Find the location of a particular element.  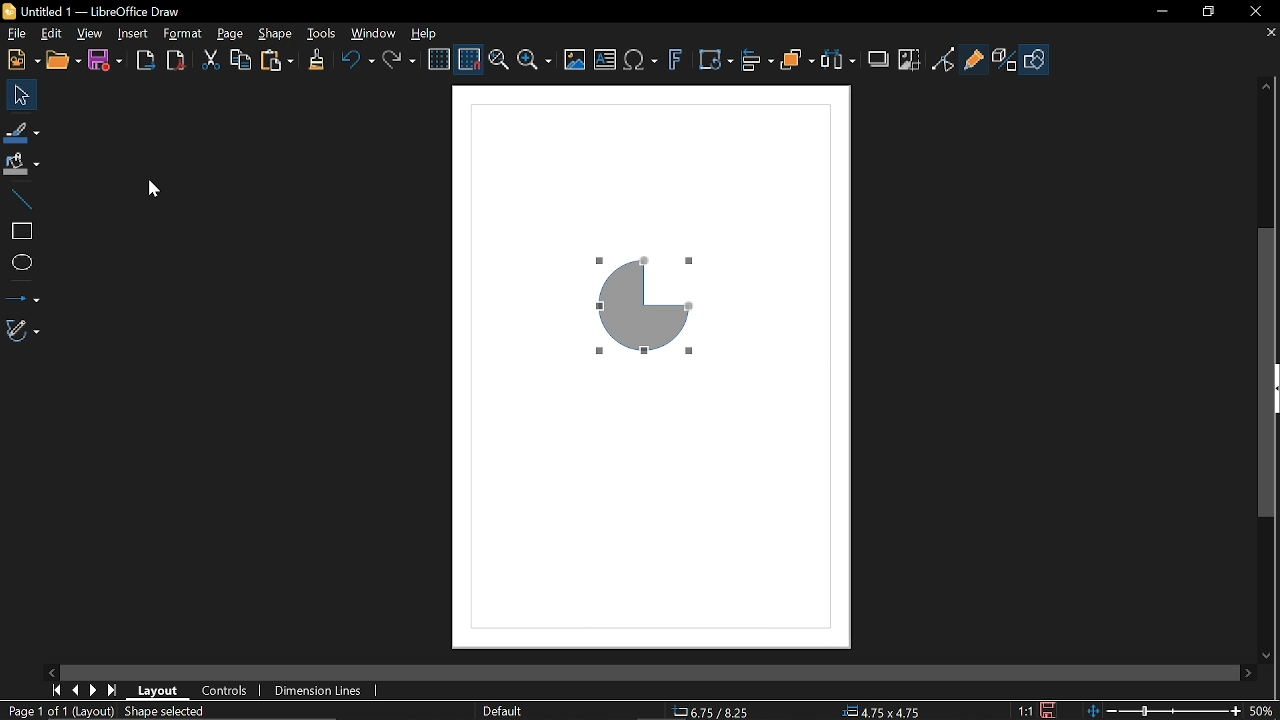

Export as pdf is located at coordinates (175, 58).